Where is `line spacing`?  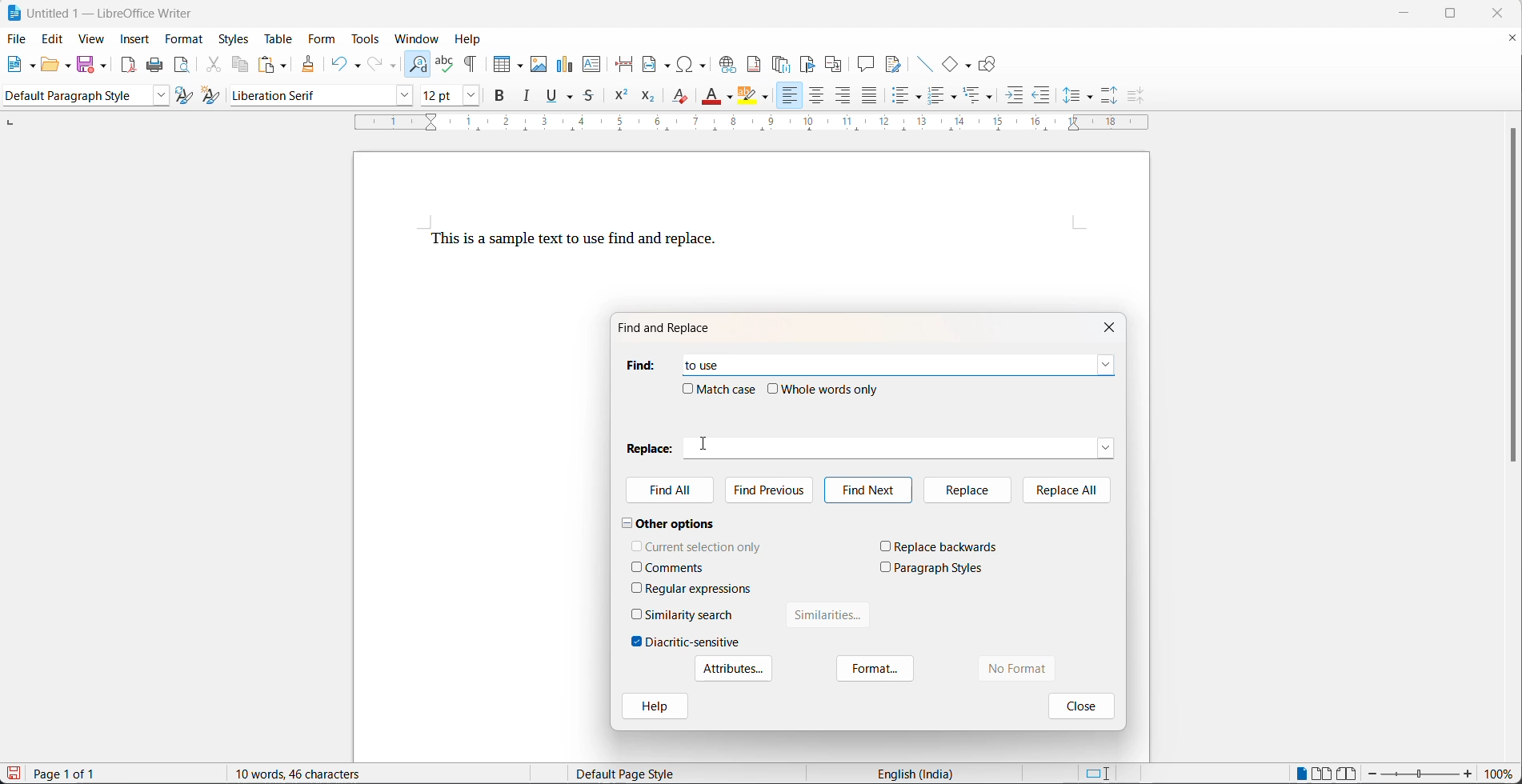 line spacing is located at coordinates (1091, 98).